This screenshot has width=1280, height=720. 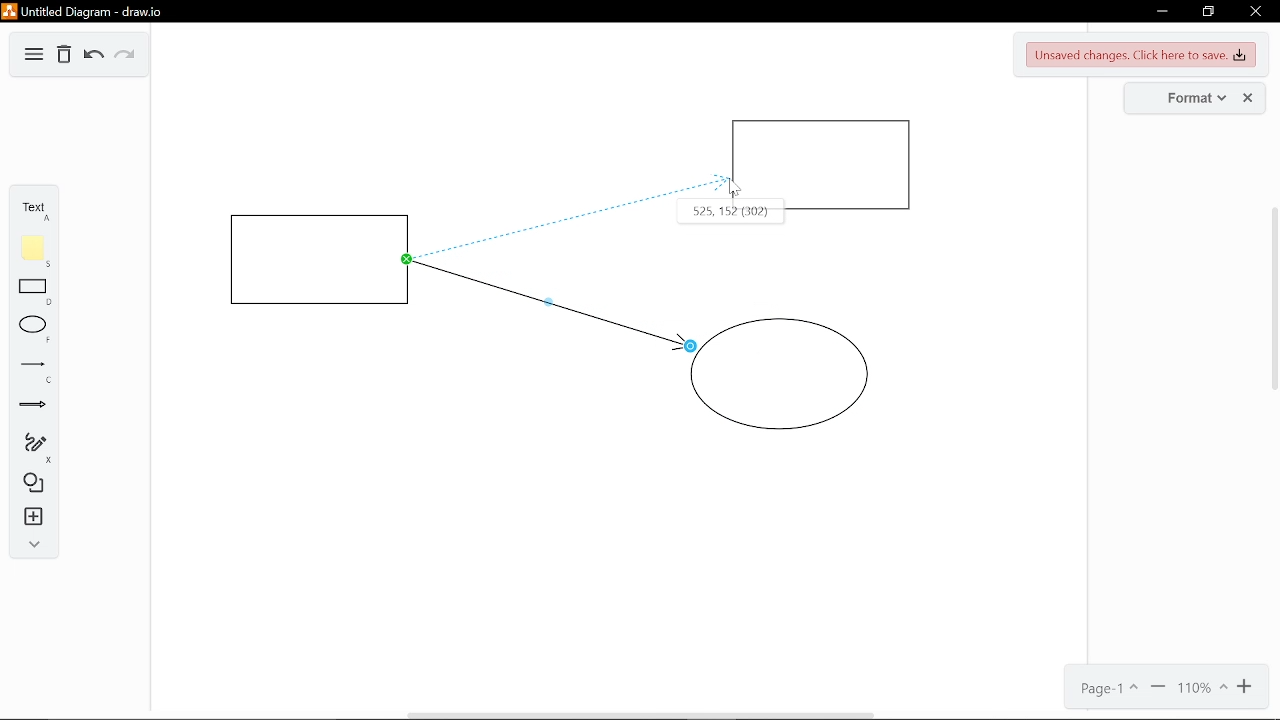 I want to click on Insert, so click(x=31, y=518).